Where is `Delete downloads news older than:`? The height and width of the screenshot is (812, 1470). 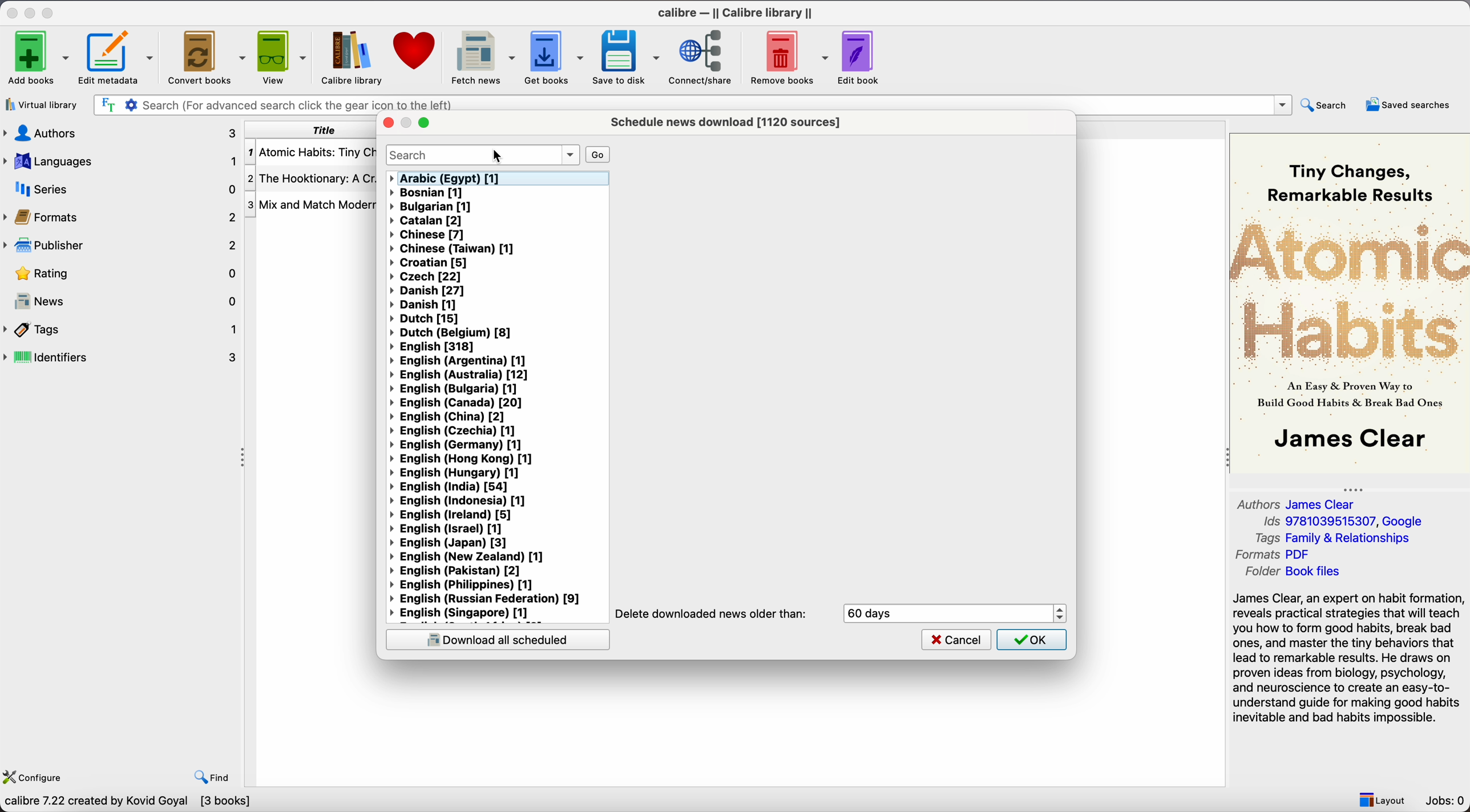
Delete downloads news older than: is located at coordinates (712, 614).